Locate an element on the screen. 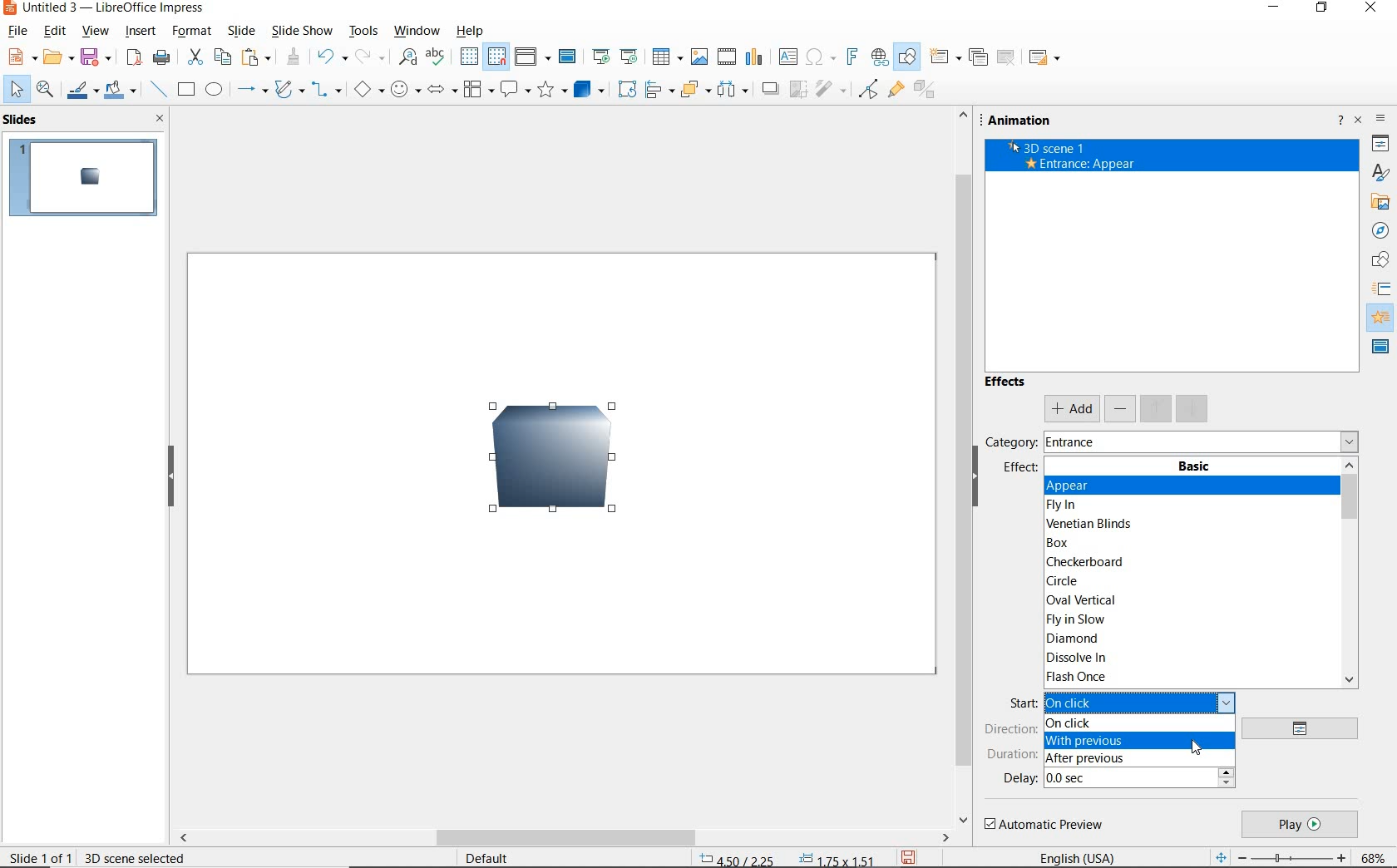 This screenshot has height=868, width=1397. 3D Image is located at coordinates (541, 466).